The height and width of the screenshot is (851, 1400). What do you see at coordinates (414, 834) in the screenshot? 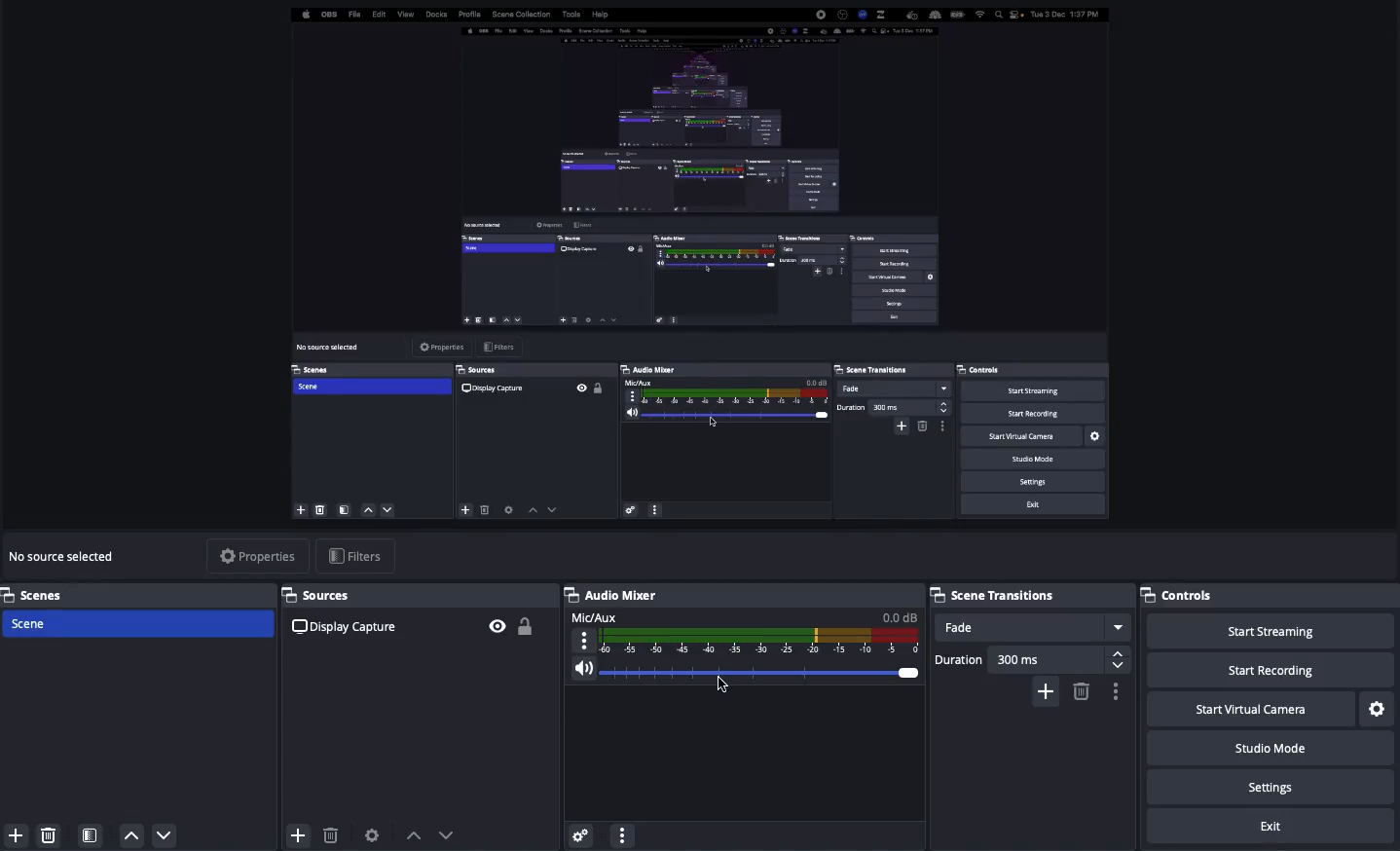
I see `Move up` at bounding box center [414, 834].